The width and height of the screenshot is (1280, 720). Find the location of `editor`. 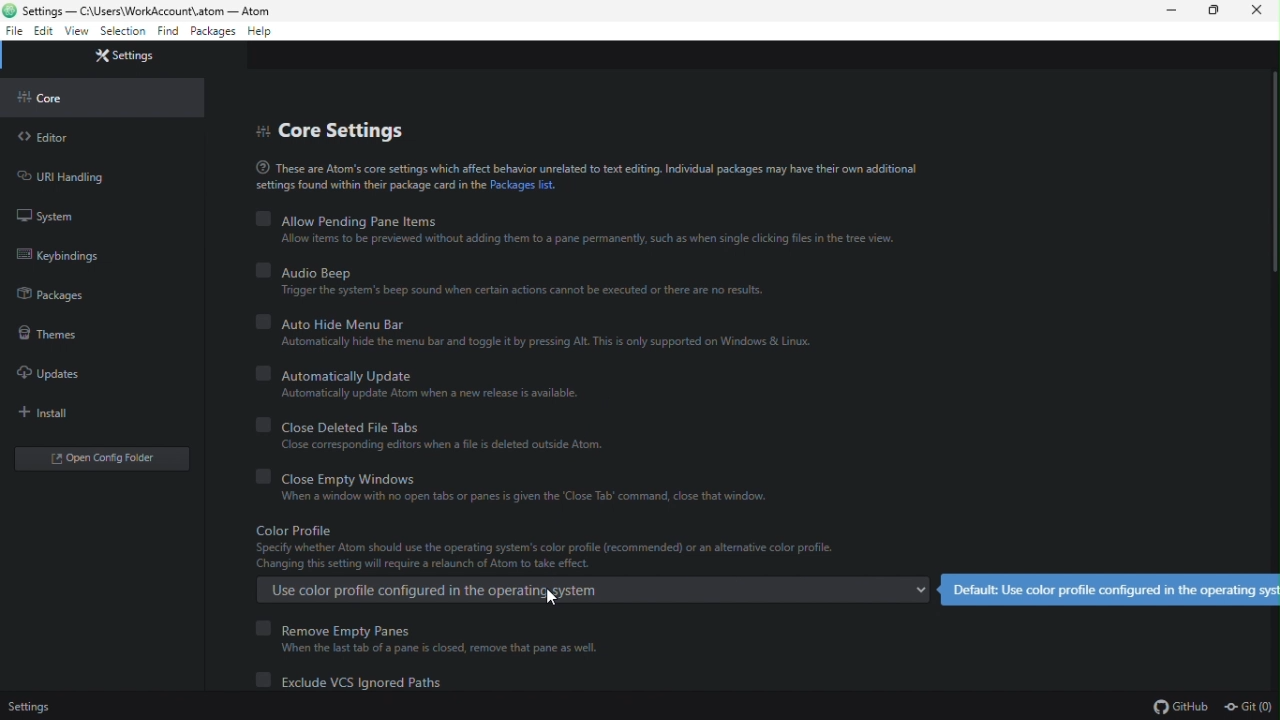

editor is located at coordinates (49, 138).